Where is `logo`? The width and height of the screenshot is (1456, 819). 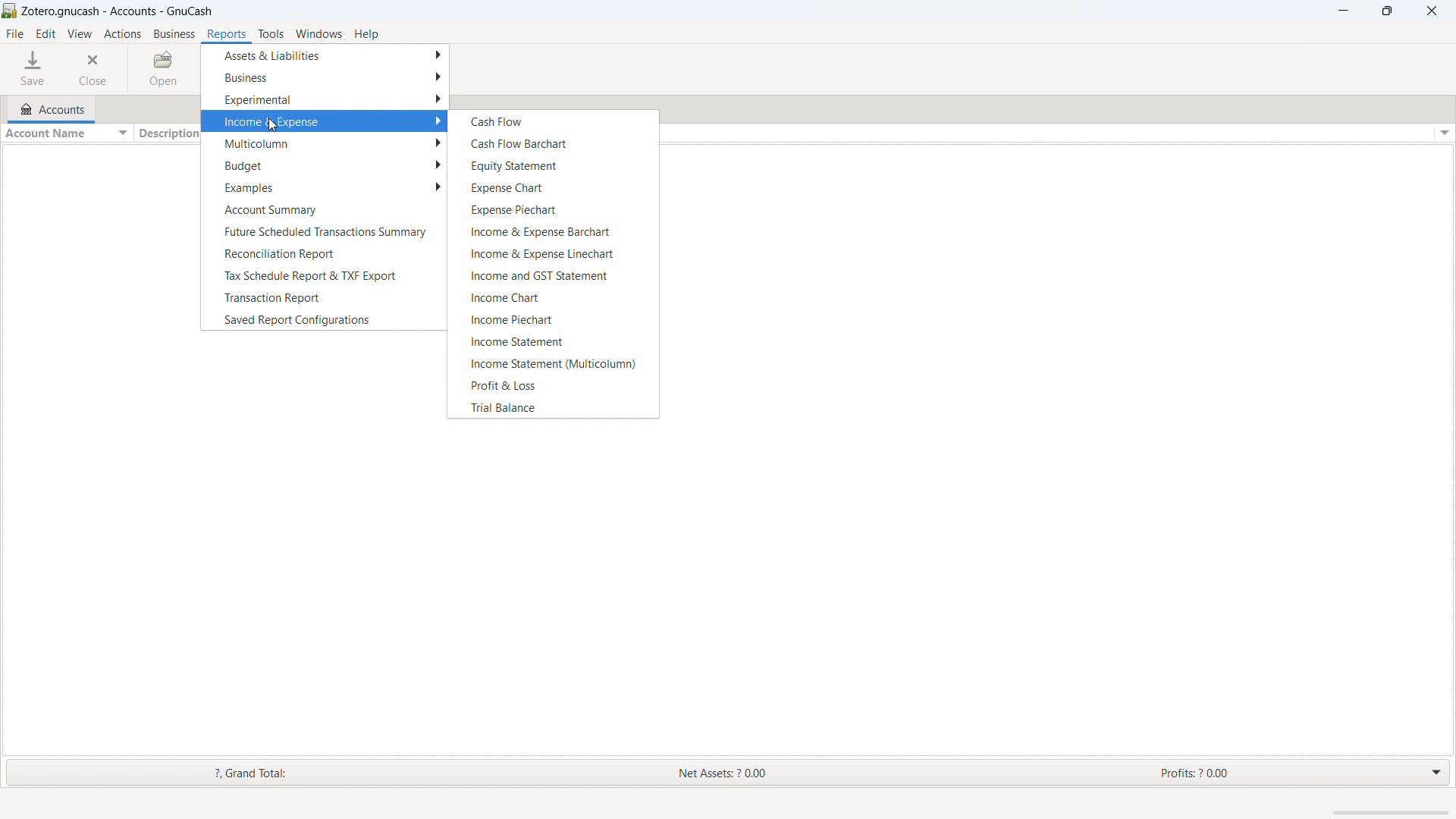
logo is located at coordinates (10, 11).